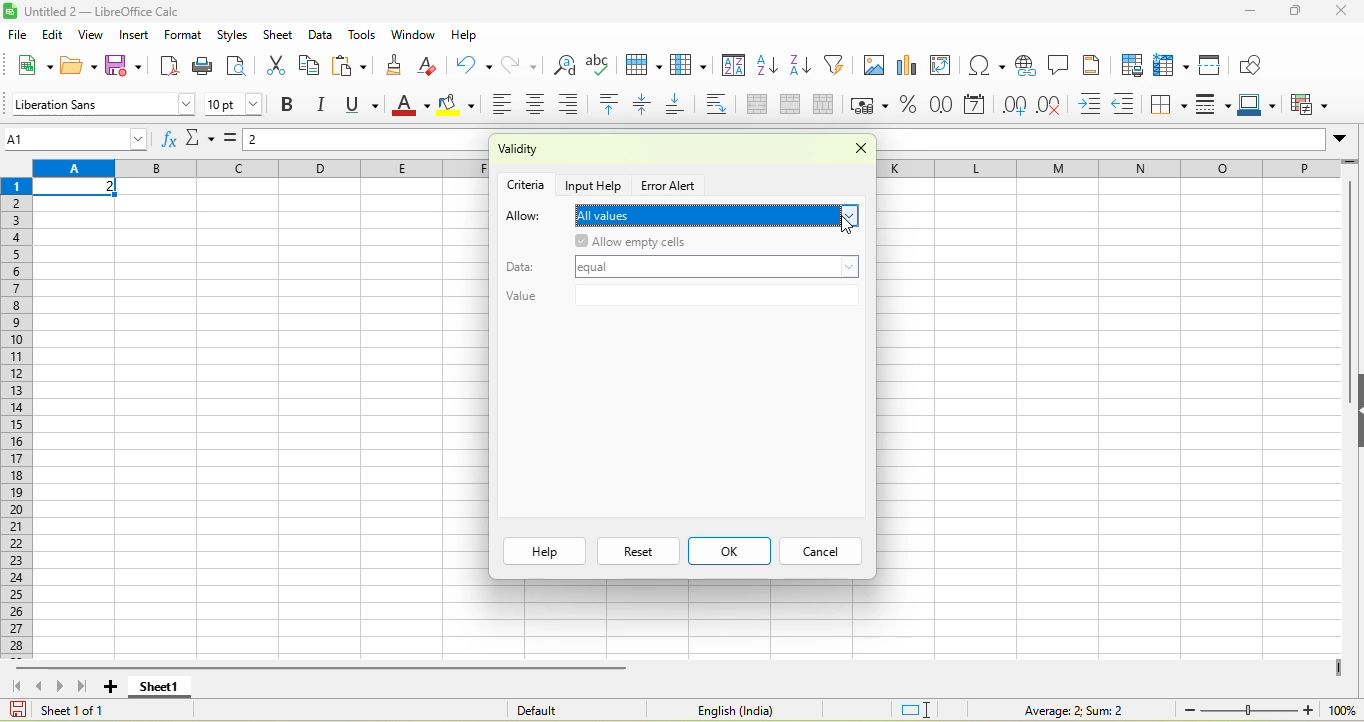 The width and height of the screenshot is (1364, 722). I want to click on new, so click(33, 64).